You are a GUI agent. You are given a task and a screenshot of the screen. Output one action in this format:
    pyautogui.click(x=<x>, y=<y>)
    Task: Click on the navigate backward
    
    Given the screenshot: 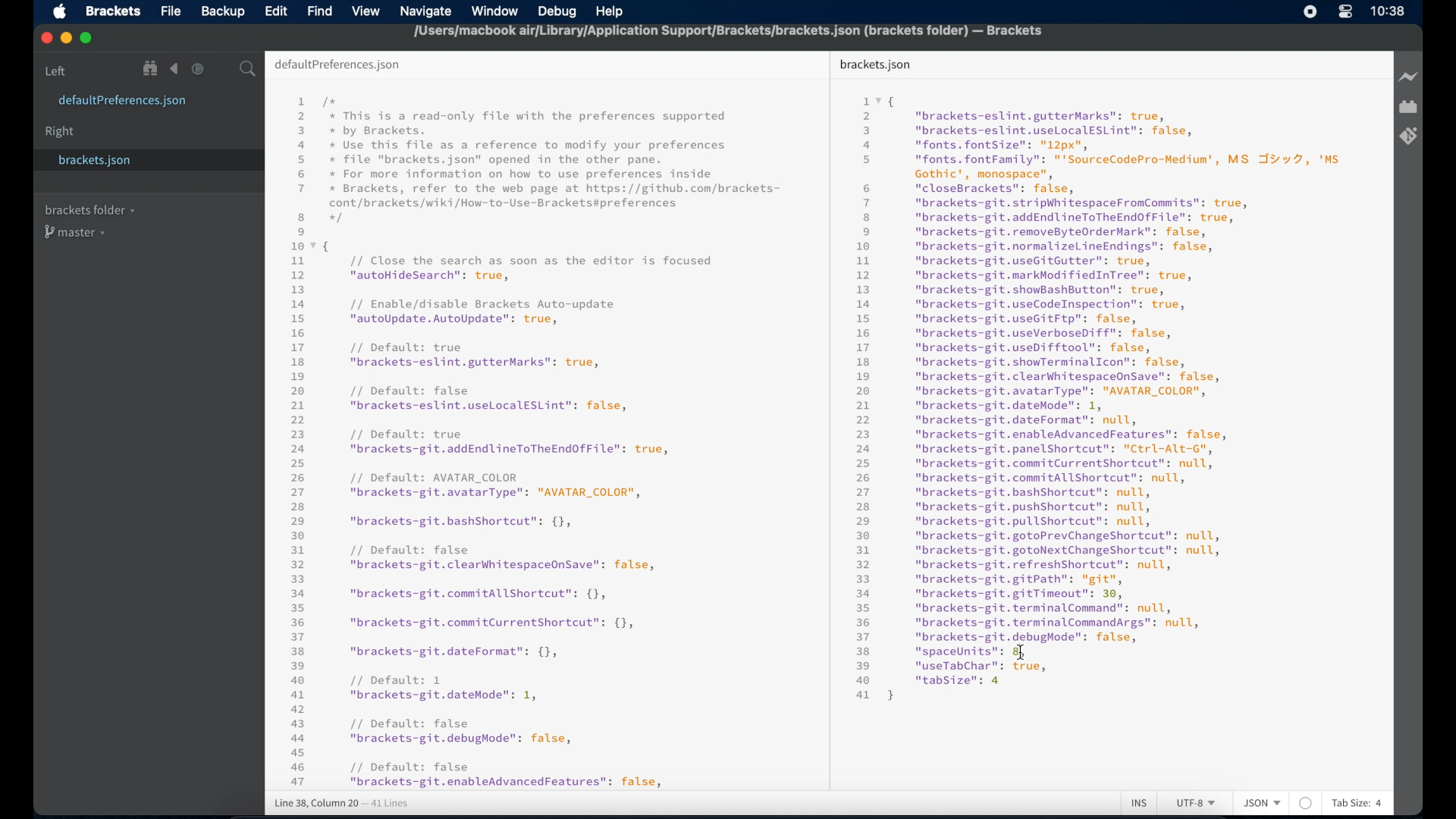 What is the action you would take?
    pyautogui.click(x=174, y=69)
    